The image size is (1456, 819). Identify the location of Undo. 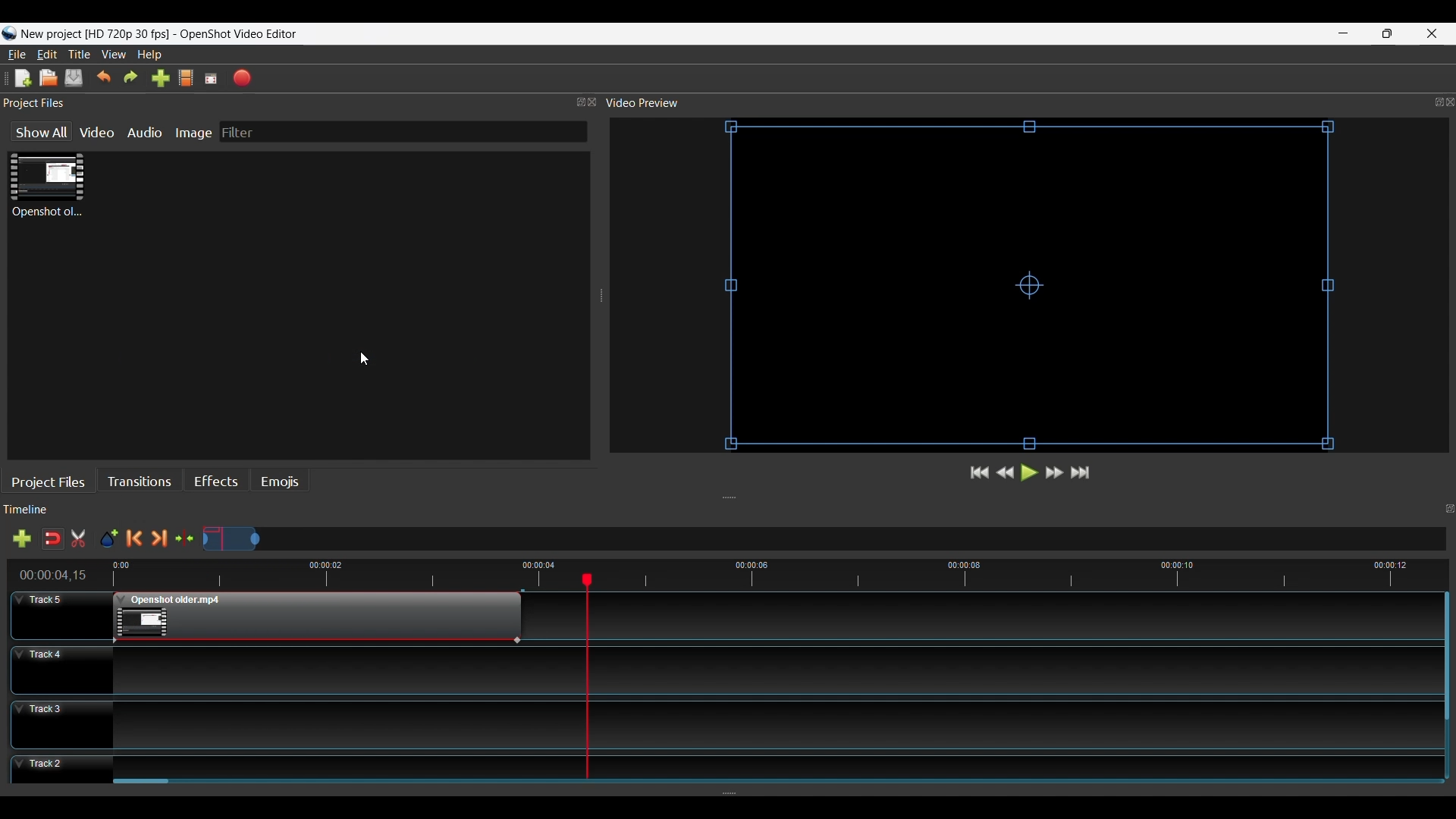
(104, 78).